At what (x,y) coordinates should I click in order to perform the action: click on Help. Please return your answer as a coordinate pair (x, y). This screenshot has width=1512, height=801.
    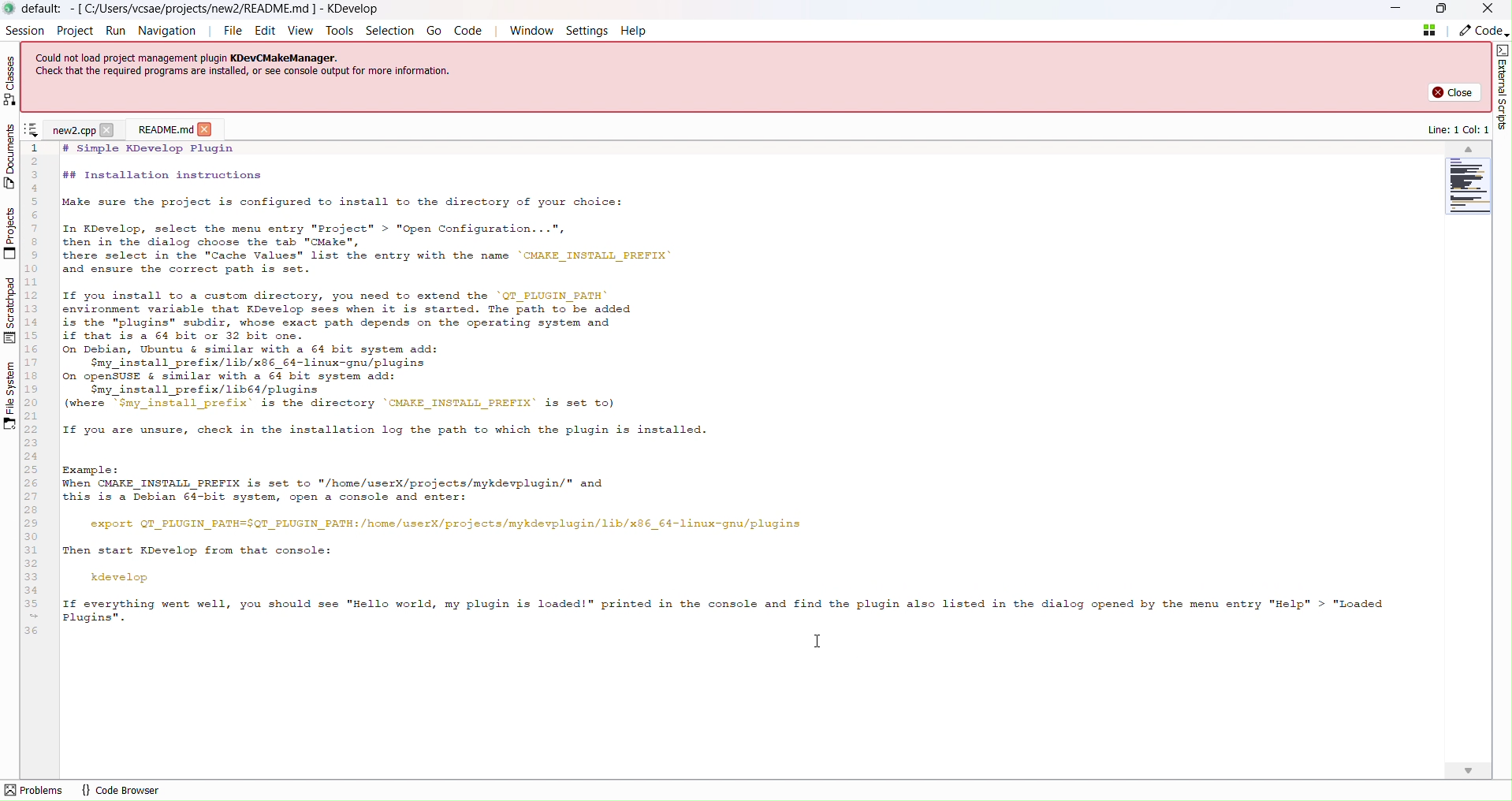
    Looking at the image, I should click on (633, 30).